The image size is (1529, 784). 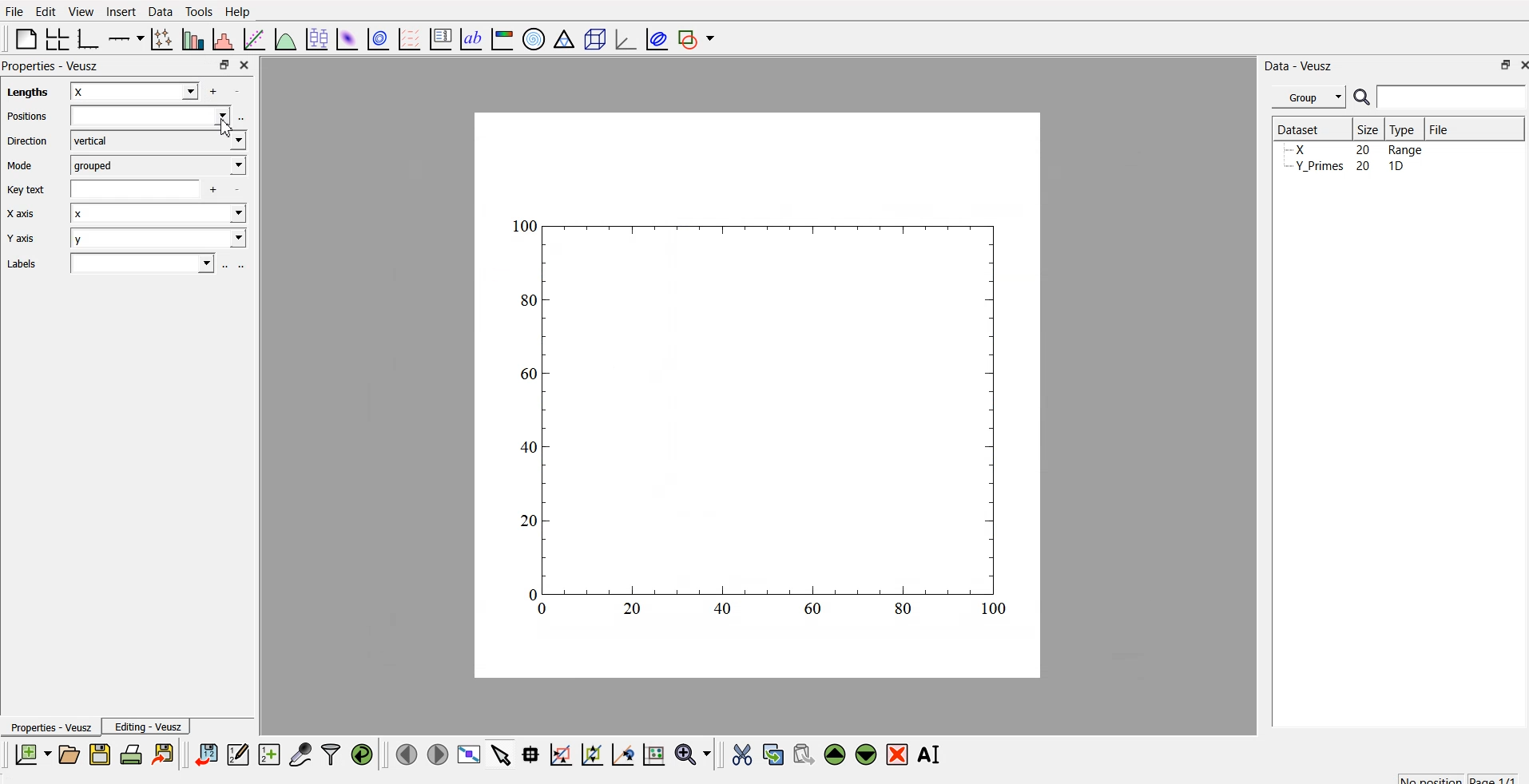 I want to click on plot on axis, so click(x=124, y=37).